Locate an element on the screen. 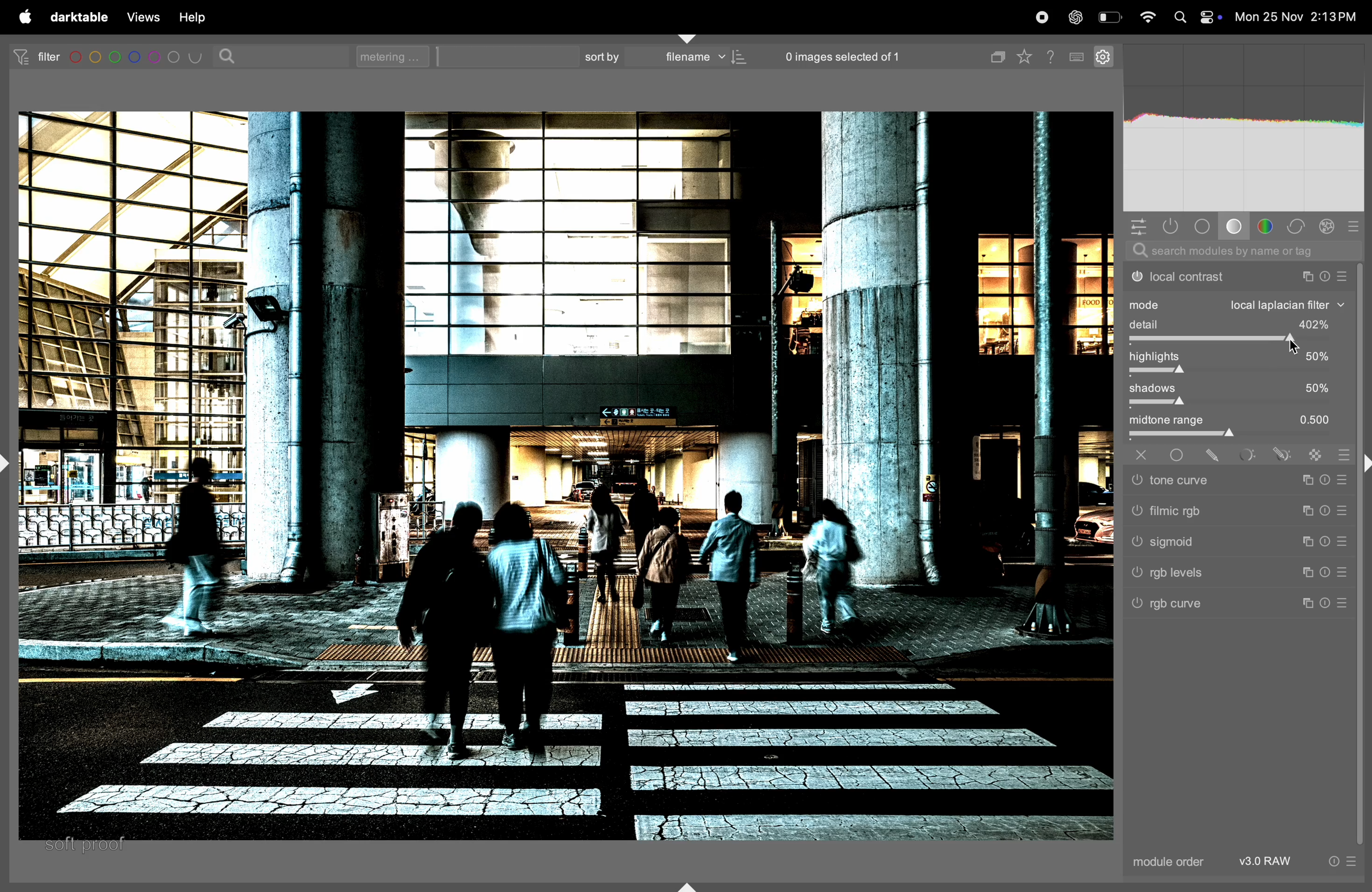  highlights is located at coordinates (1237, 357).